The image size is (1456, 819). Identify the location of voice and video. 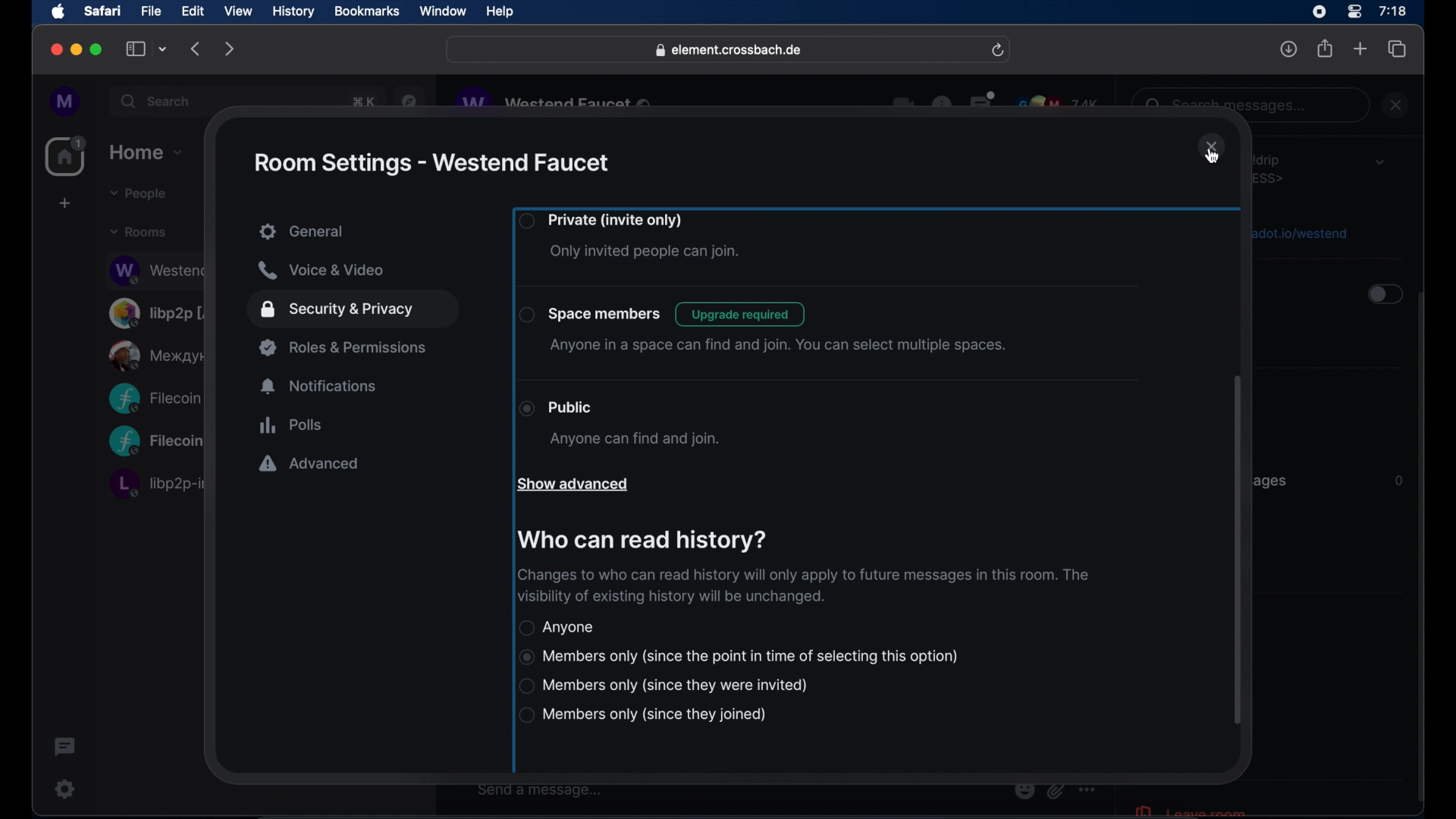
(321, 271).